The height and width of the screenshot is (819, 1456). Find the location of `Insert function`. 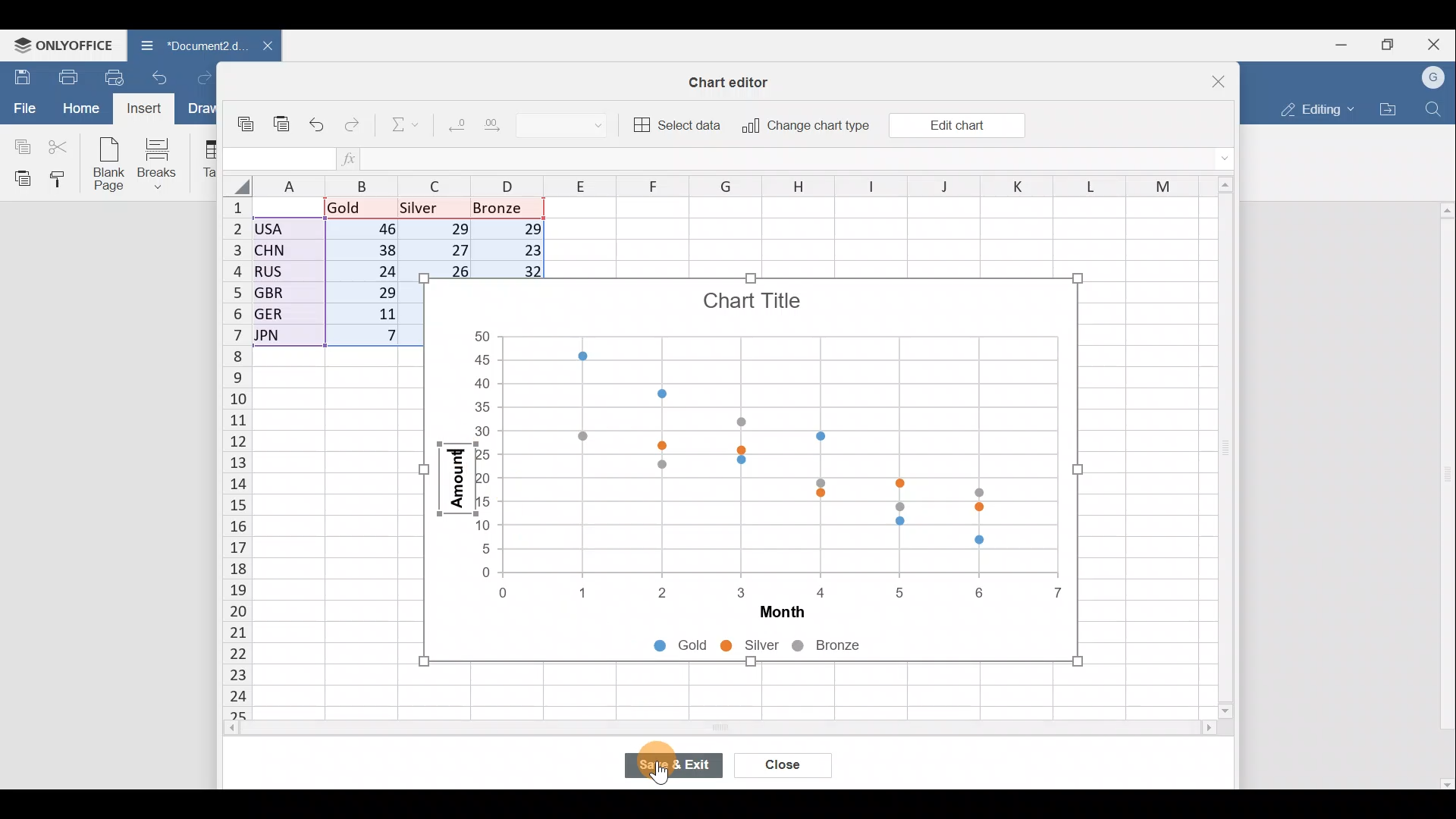

Insert function is located at coordinates (350, 158).